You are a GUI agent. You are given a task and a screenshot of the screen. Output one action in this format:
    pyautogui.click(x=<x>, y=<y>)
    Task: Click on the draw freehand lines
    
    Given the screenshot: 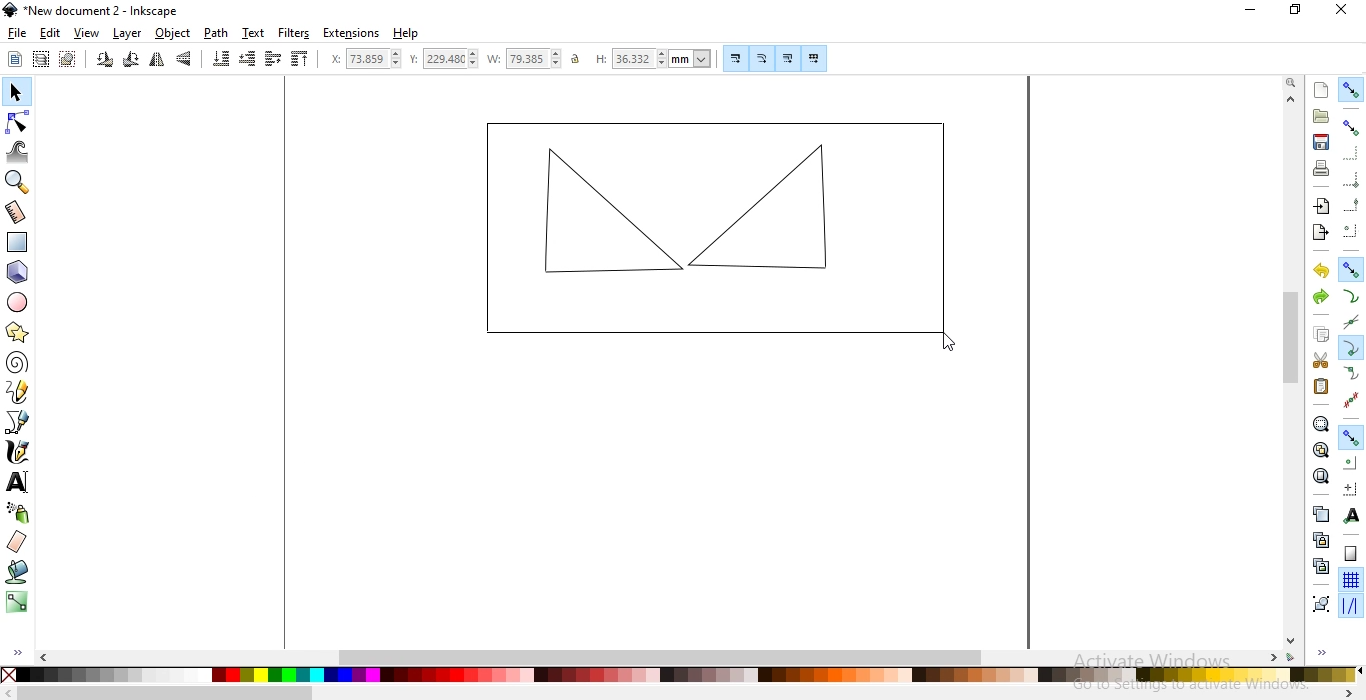 What is the action you would take?
    pyautogui.click(x=19, y=393)
    